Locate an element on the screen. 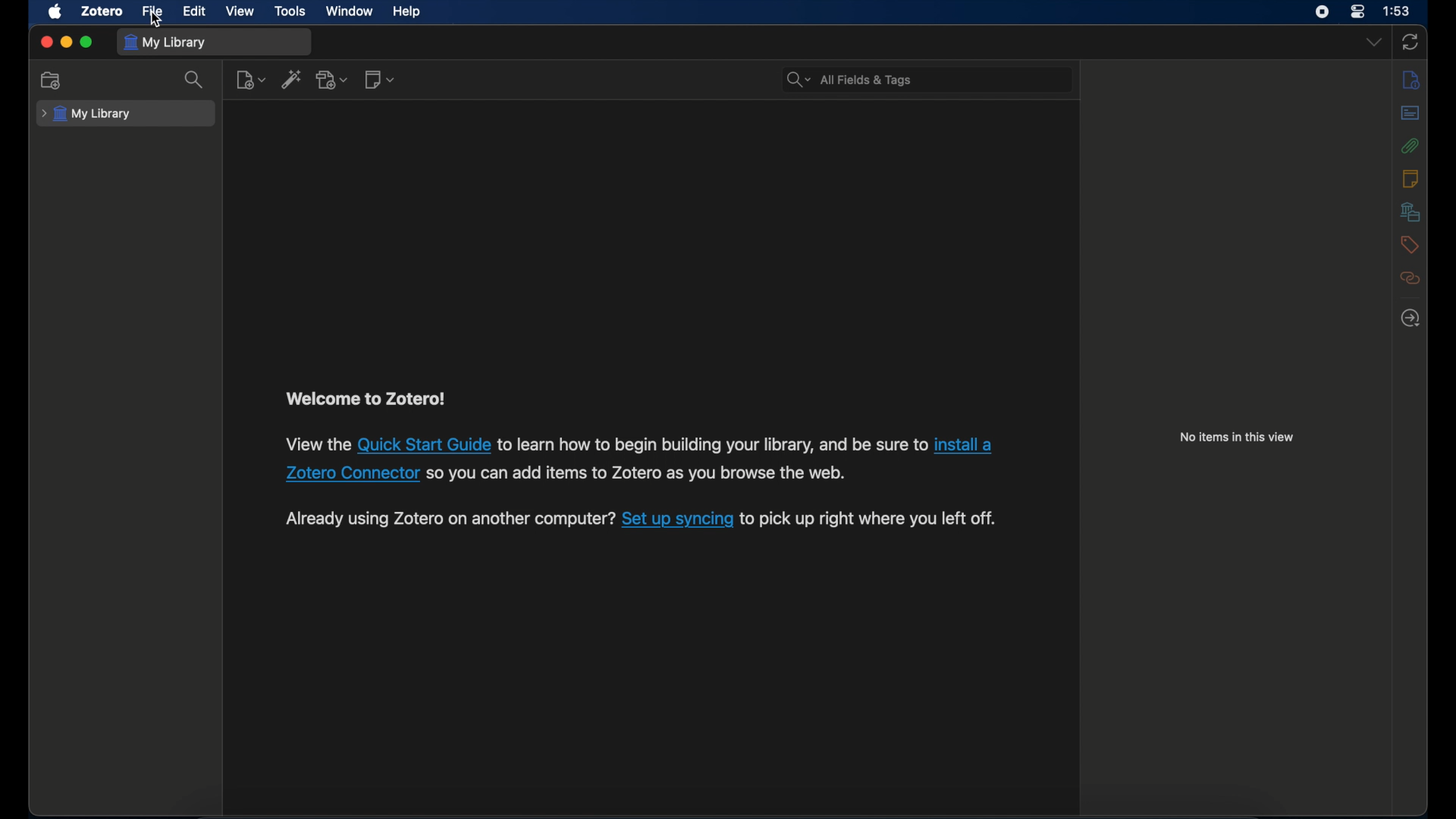 This screenshot has height=819, width=1456. locate is located at coordinates (1410, 318).